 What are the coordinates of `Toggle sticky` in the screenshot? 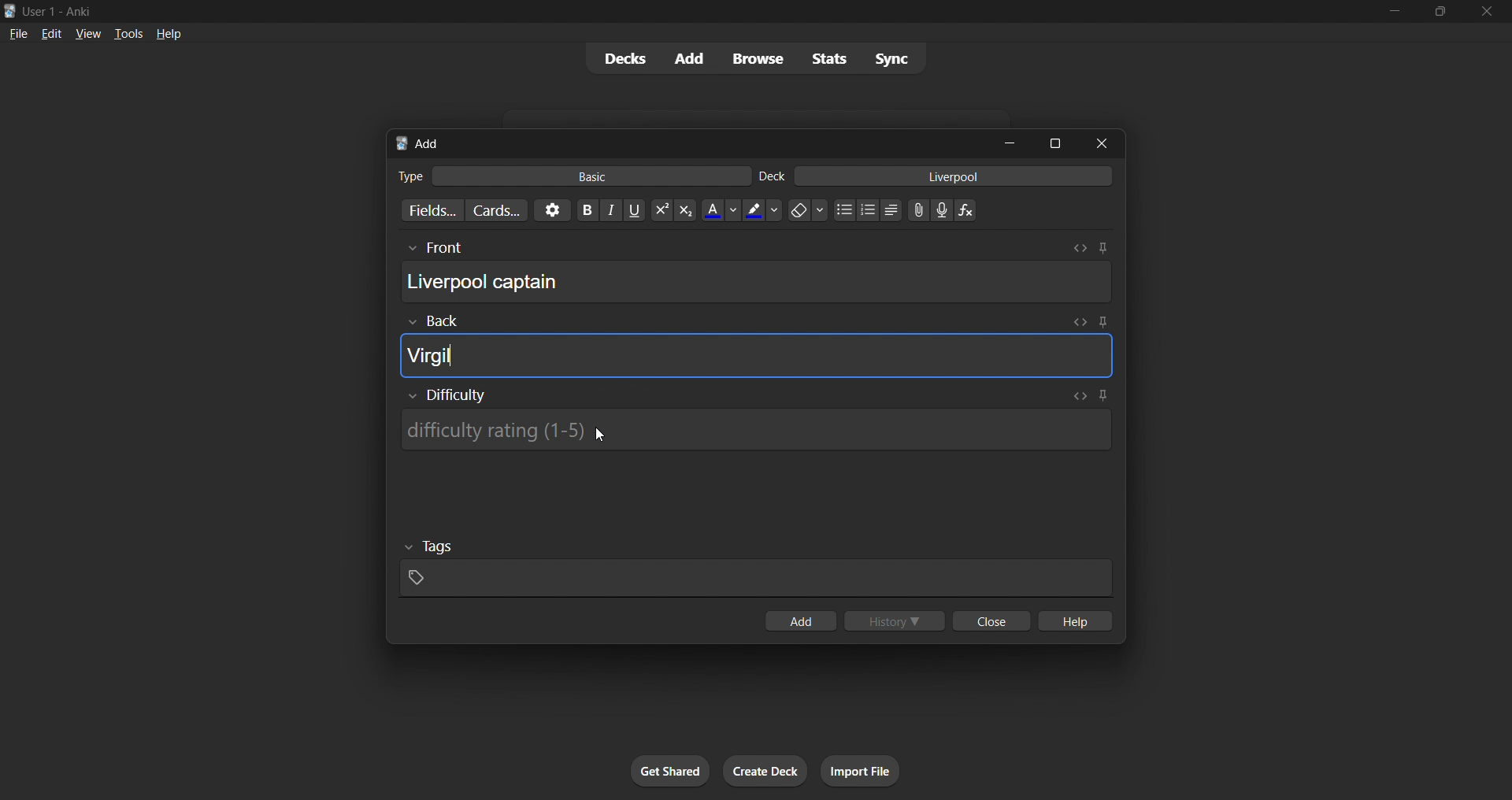 It's located at (1102, 248).